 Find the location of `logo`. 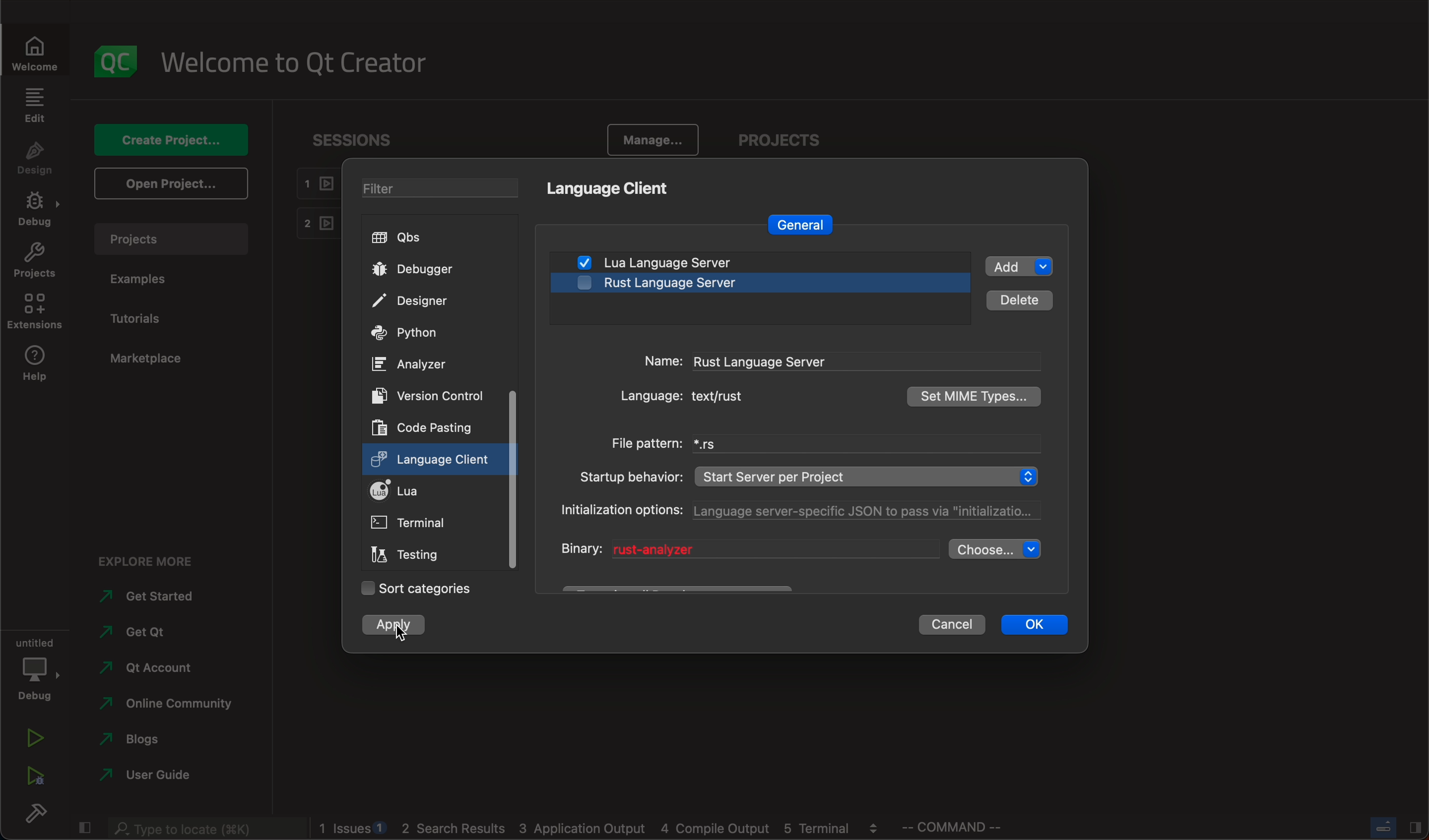

logo is located at coordinates (119, 61).